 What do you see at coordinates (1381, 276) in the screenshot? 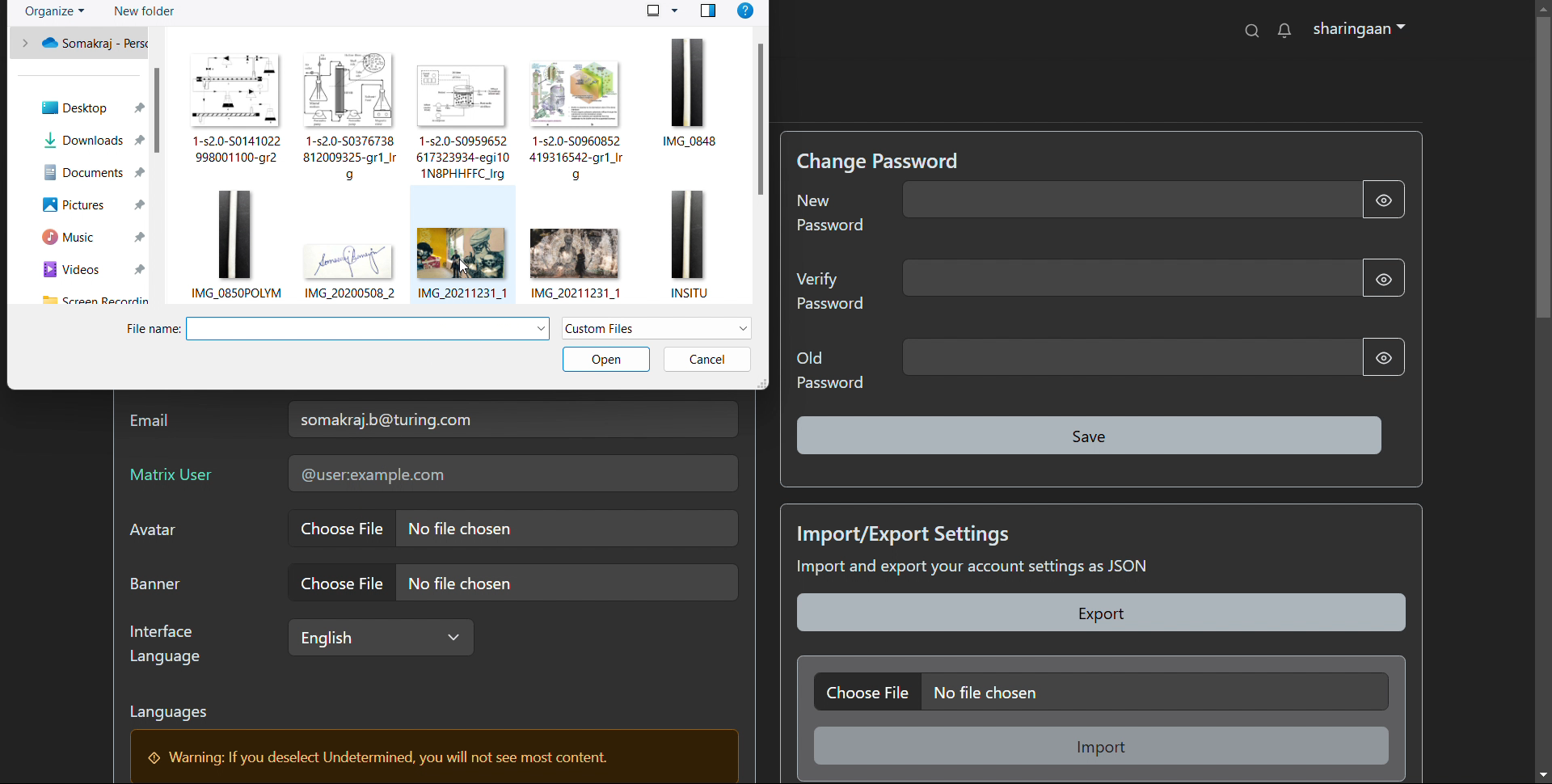
I see `toggle visibility` at bounding box center [1381, 276].